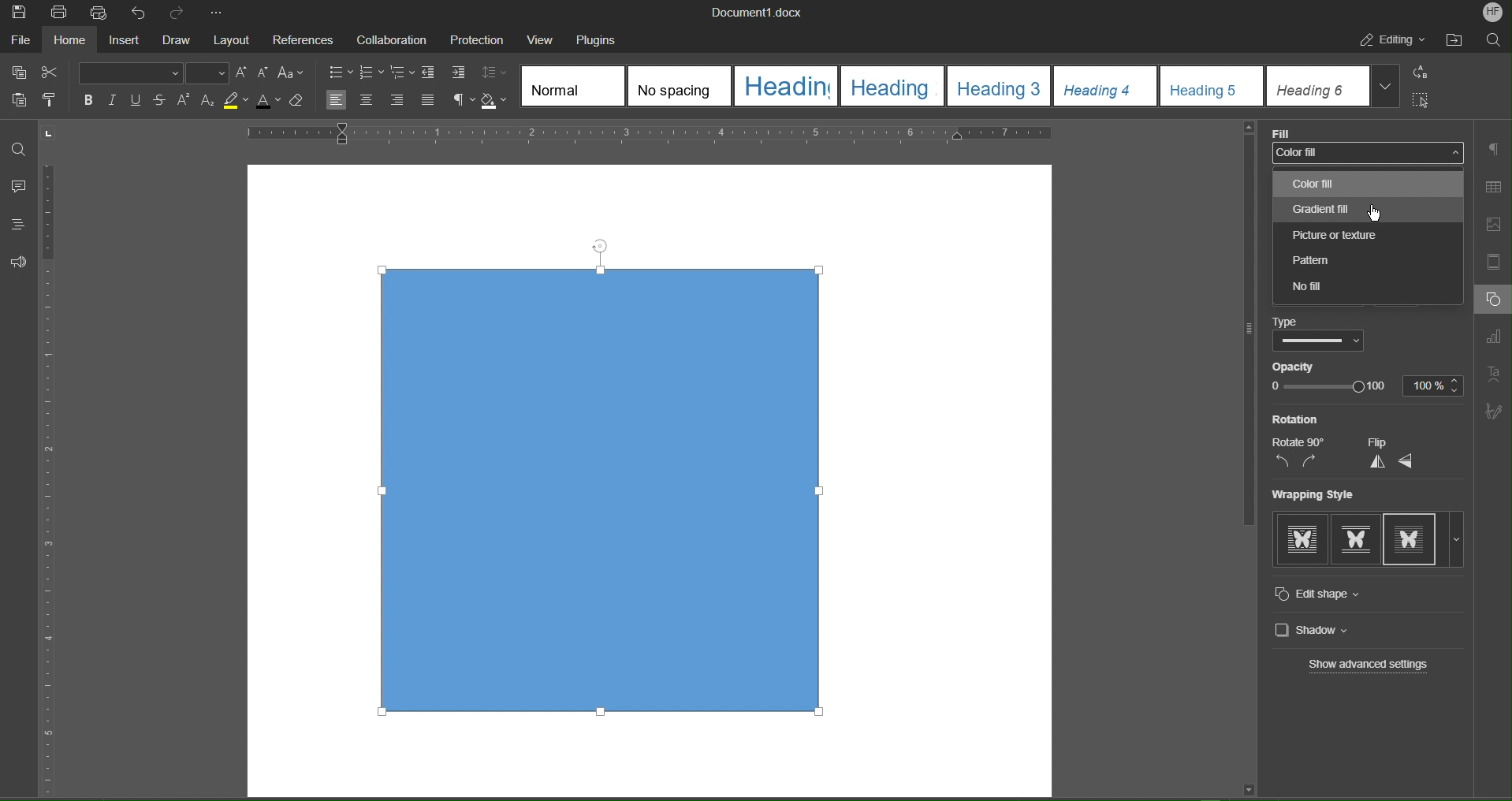 This screenshot has width=1512, height=801. Describe the element at coordinates (1424, 73) in the screenshot. I see `Replace` at that location.